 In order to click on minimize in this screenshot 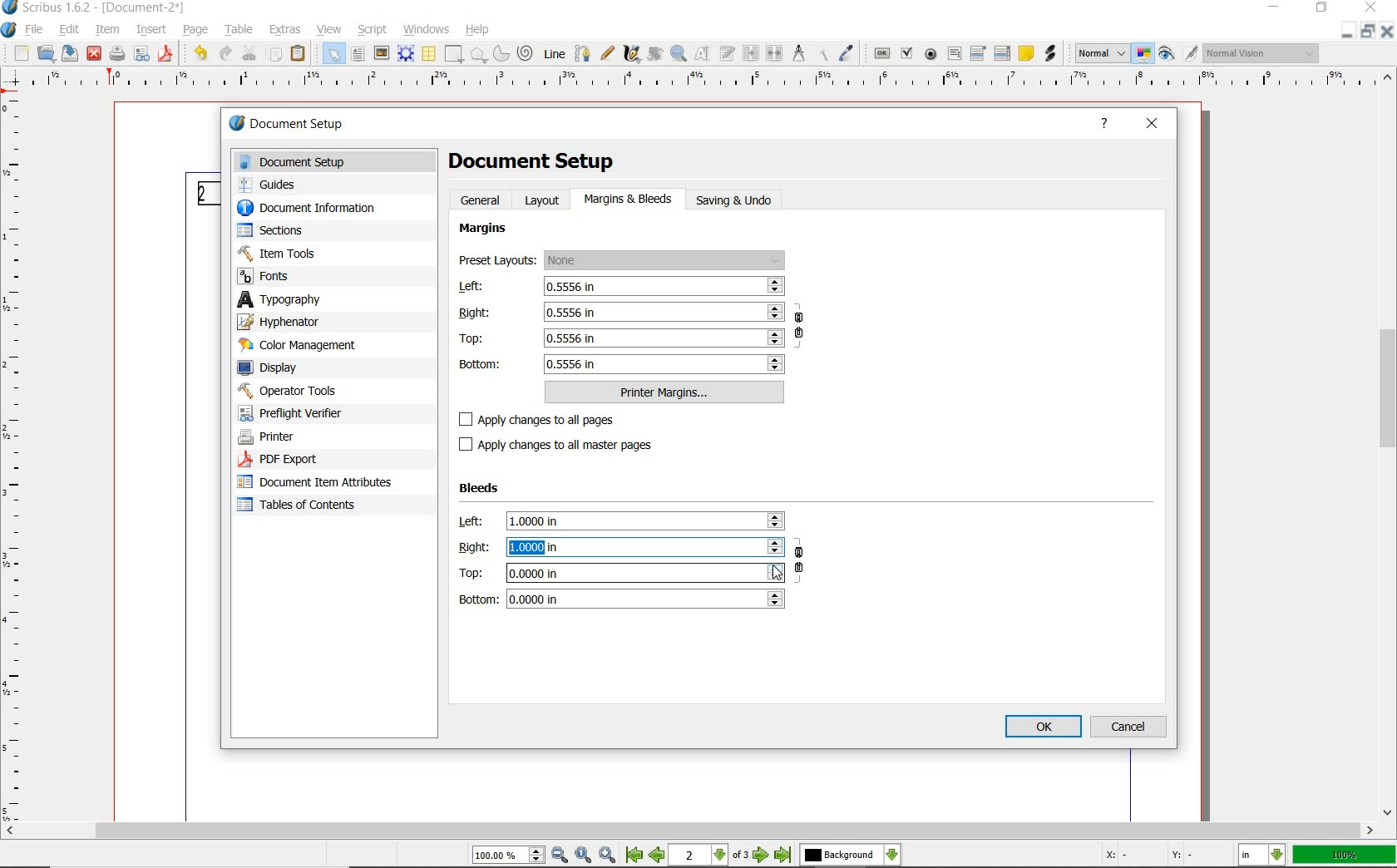, I will do `click(1271, 7)`.